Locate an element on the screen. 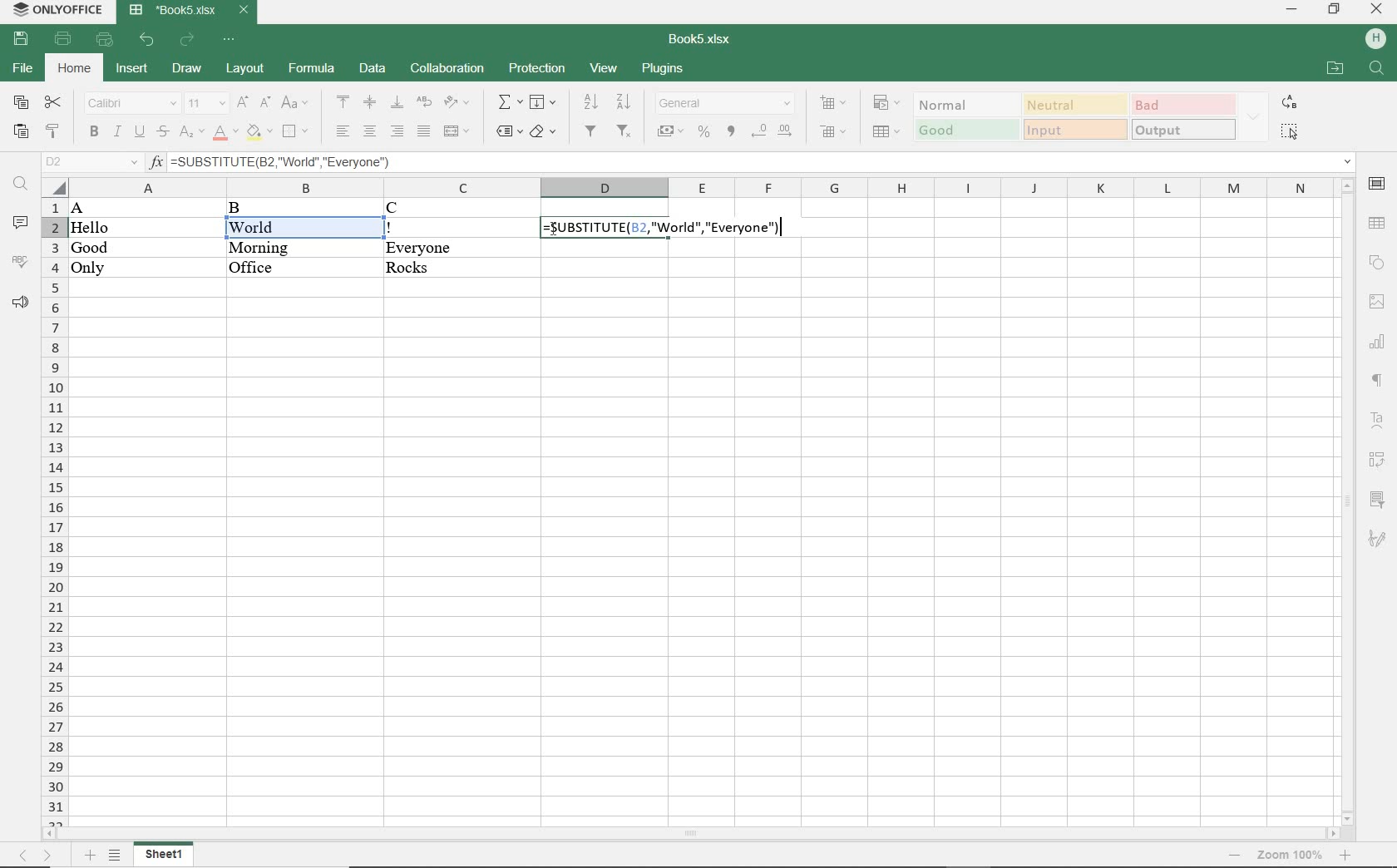 This screenshot has width=1397, height=868. chart is located at coordinates (1378, 339).